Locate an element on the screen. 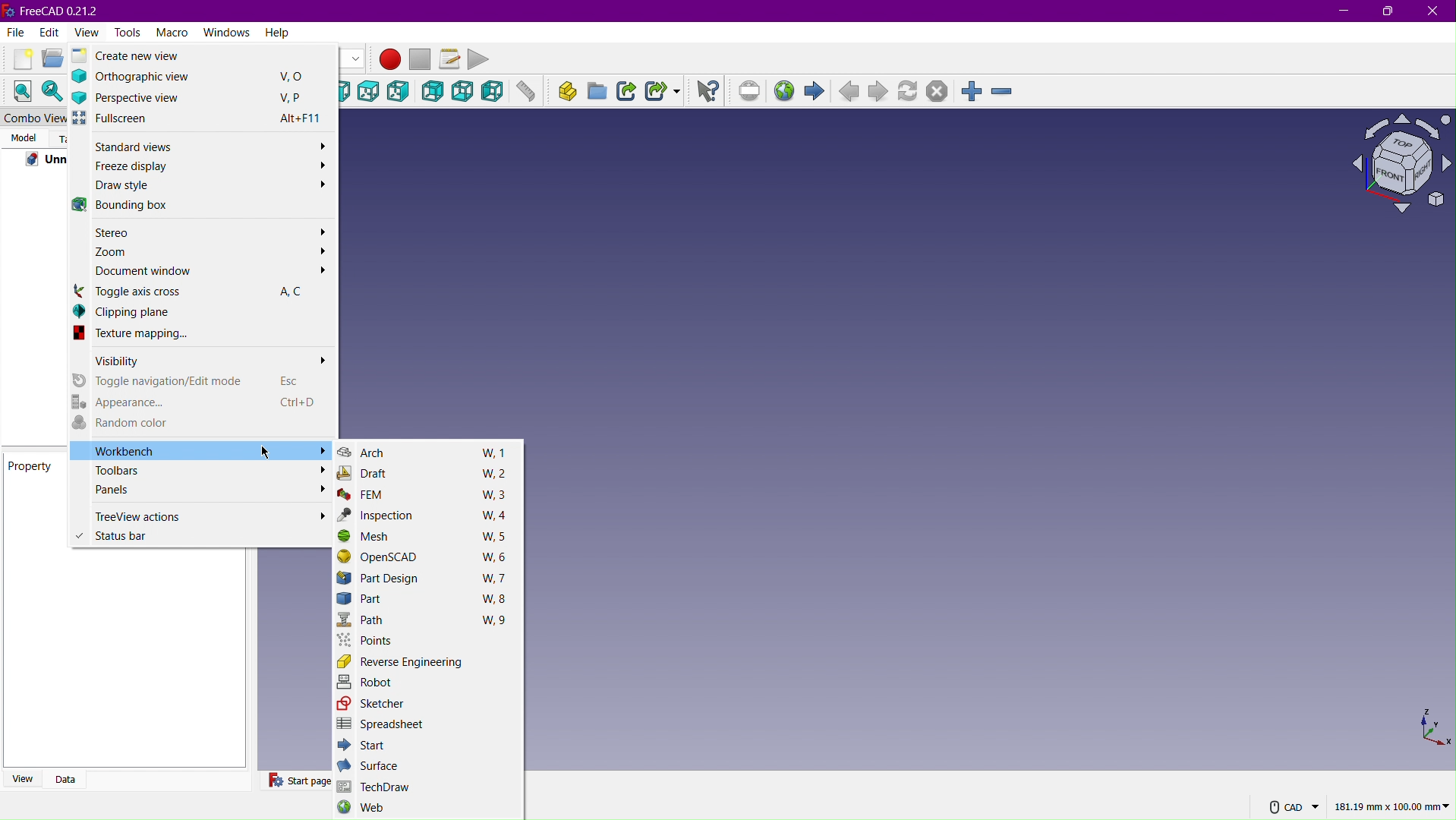  Macro Recording is located at coordinates (388, 60).